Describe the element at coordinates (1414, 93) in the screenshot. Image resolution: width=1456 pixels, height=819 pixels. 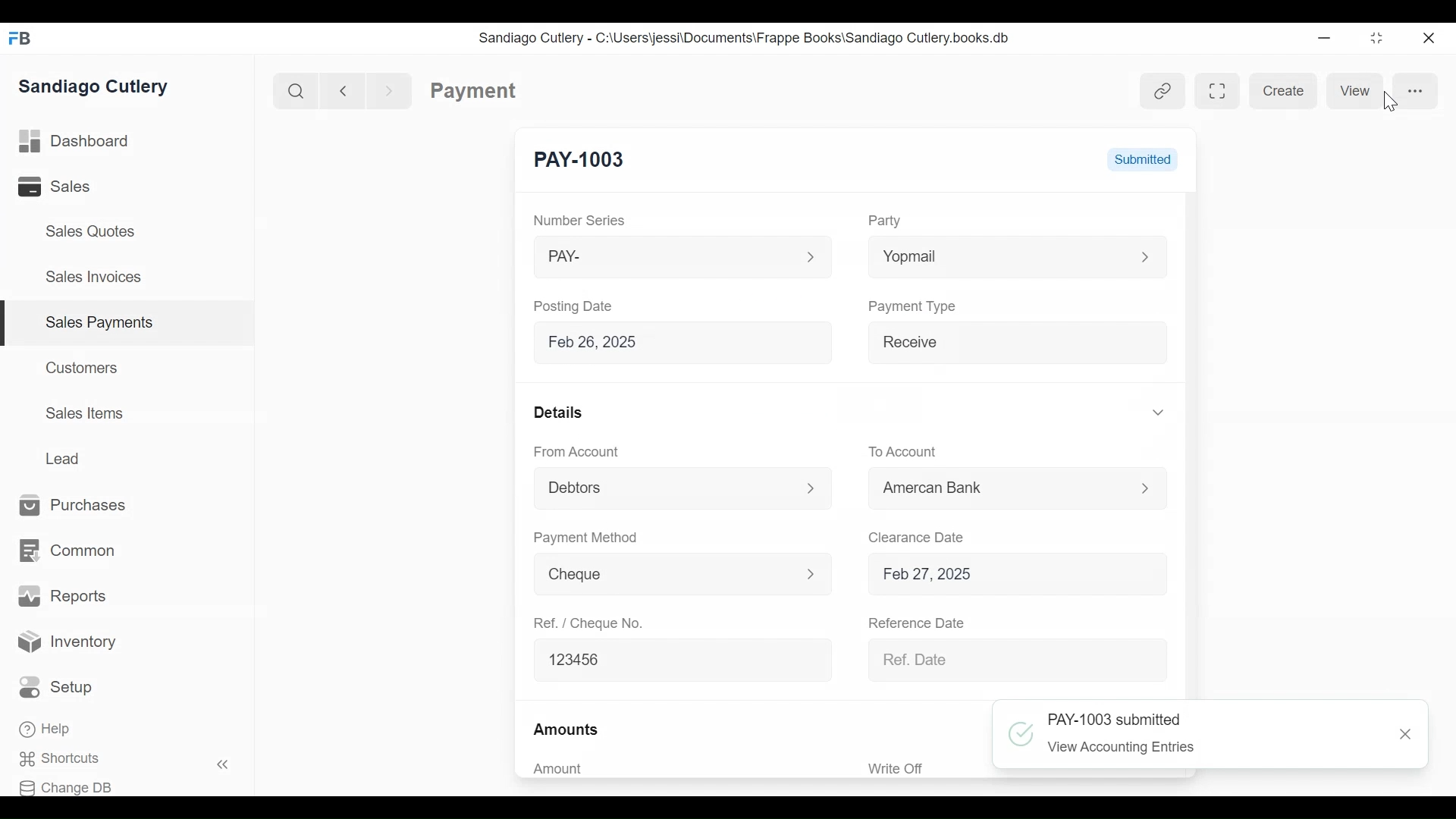
I see `More` at that location.